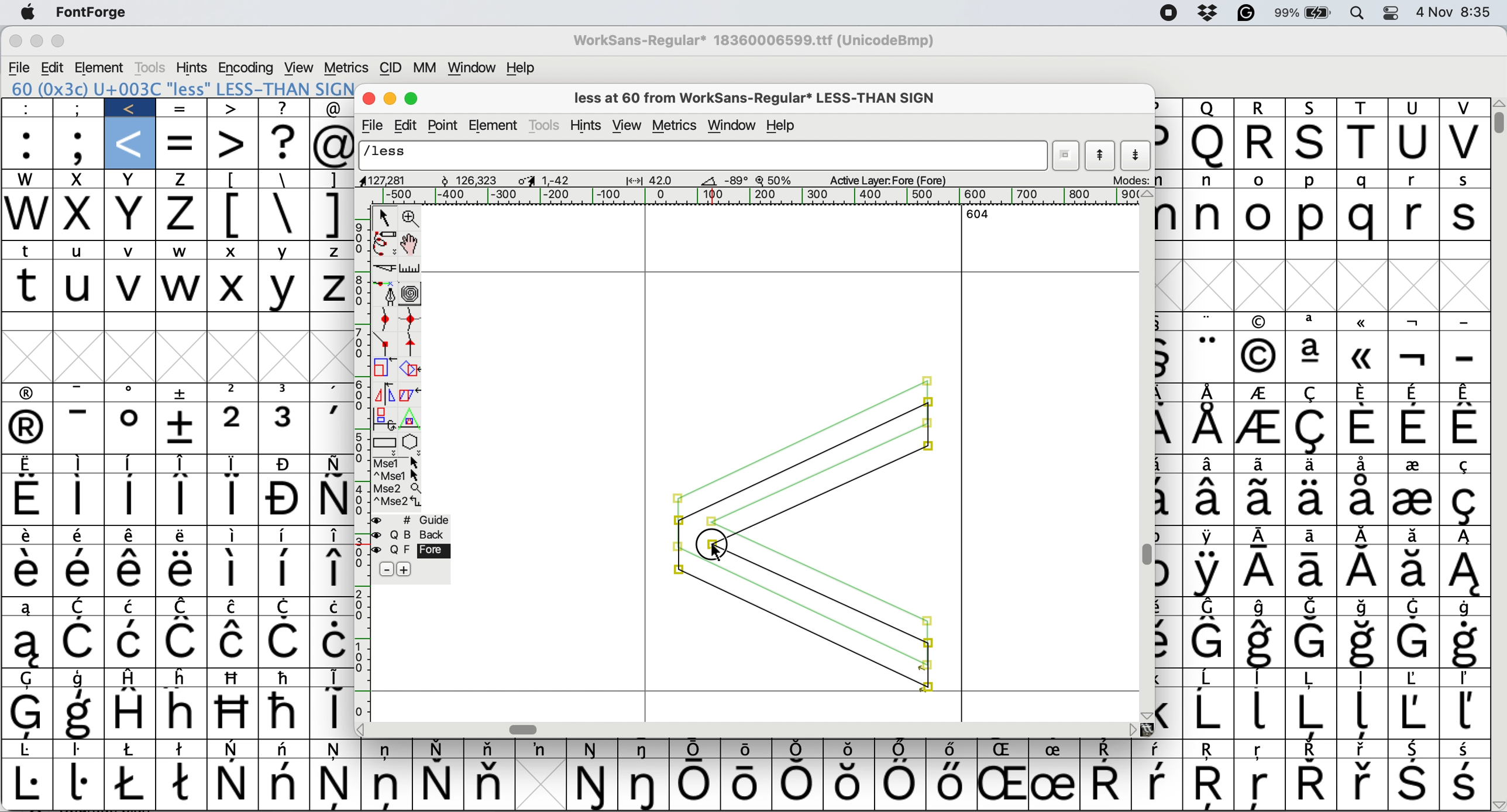  I want to click on Symbol, so click(1264, 573).